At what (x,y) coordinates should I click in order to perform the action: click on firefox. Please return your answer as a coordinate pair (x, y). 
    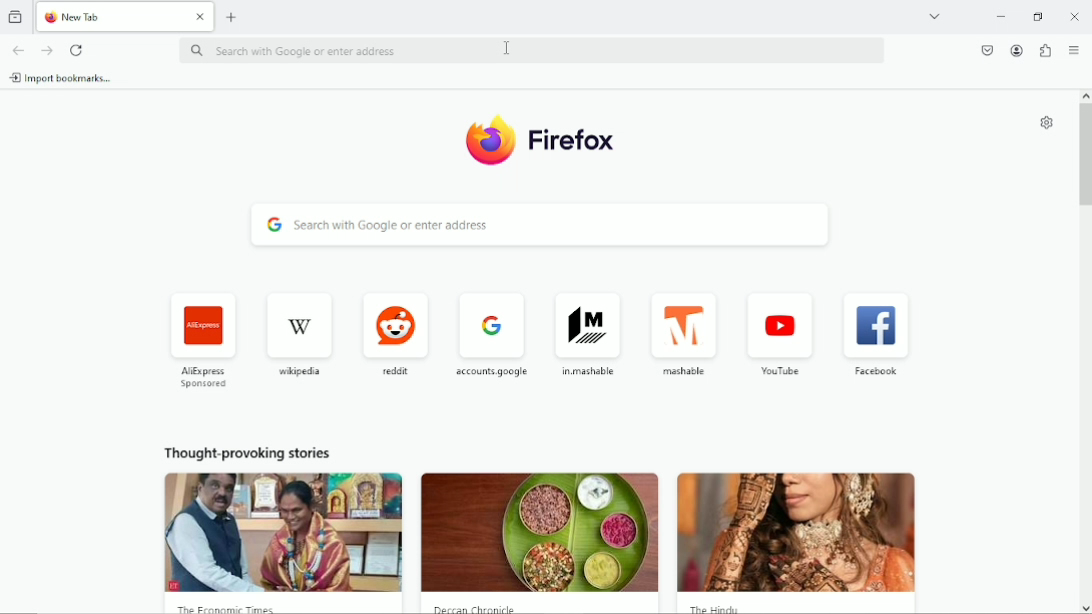
    Looking at the image, I should click on (583, 140).